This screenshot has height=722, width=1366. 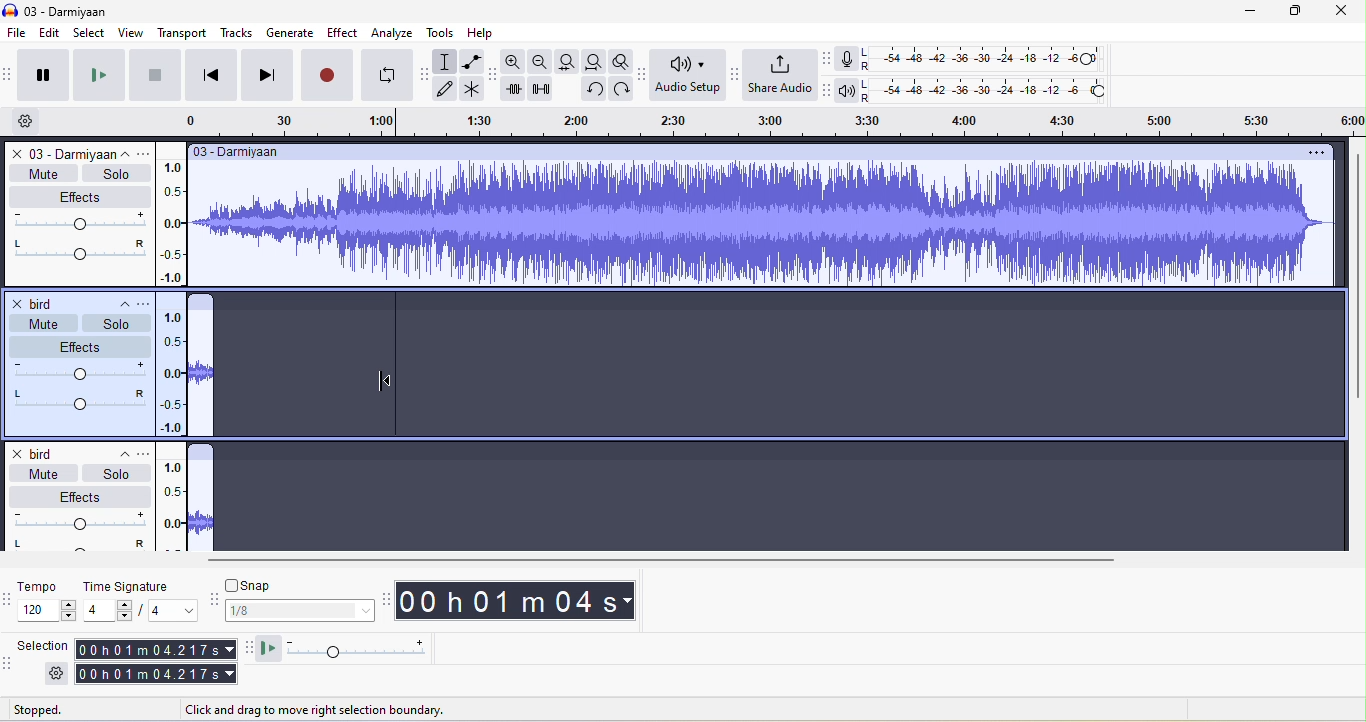 I want to click on time signature, so click(x=134, y=587).